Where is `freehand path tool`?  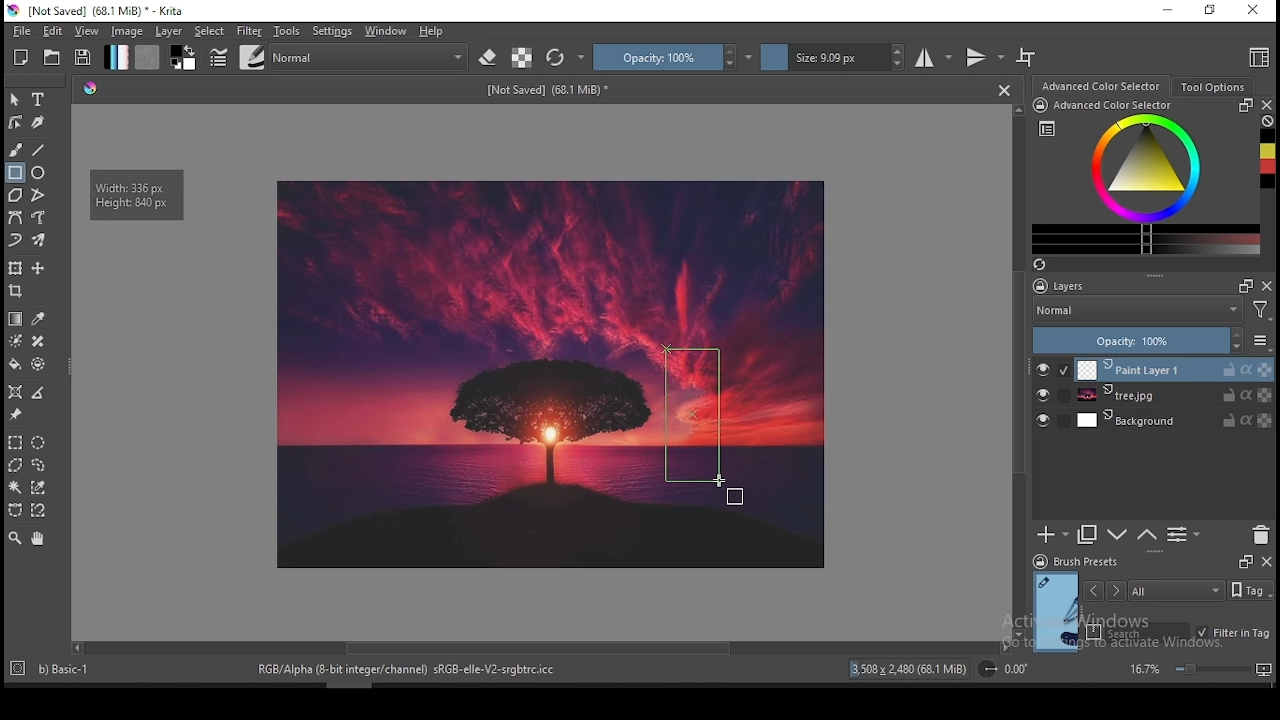 freehand path tool is located at coordinates (38, 218).